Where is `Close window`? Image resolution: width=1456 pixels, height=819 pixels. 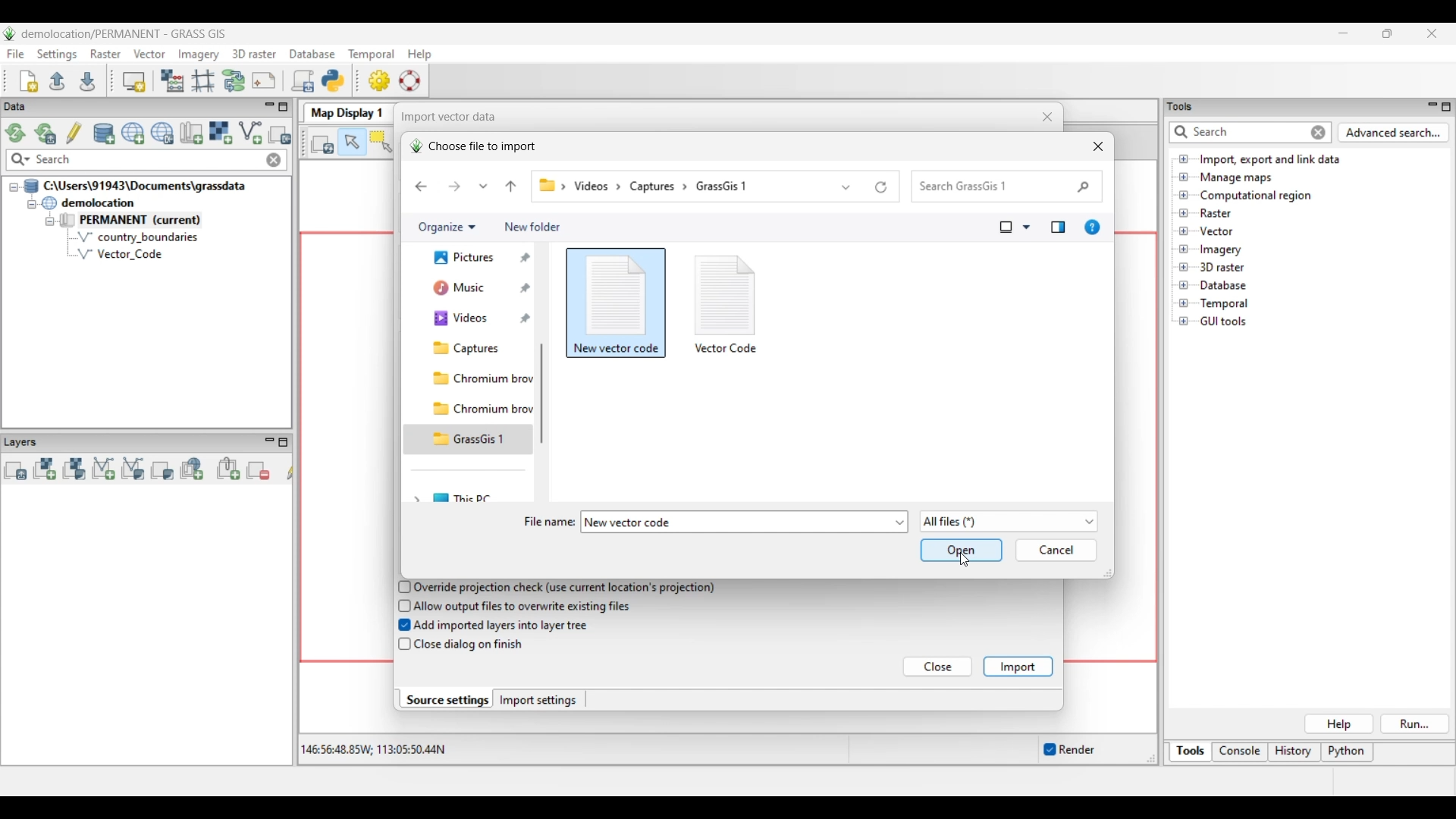
Close window is located at coordinates (1098, 146).